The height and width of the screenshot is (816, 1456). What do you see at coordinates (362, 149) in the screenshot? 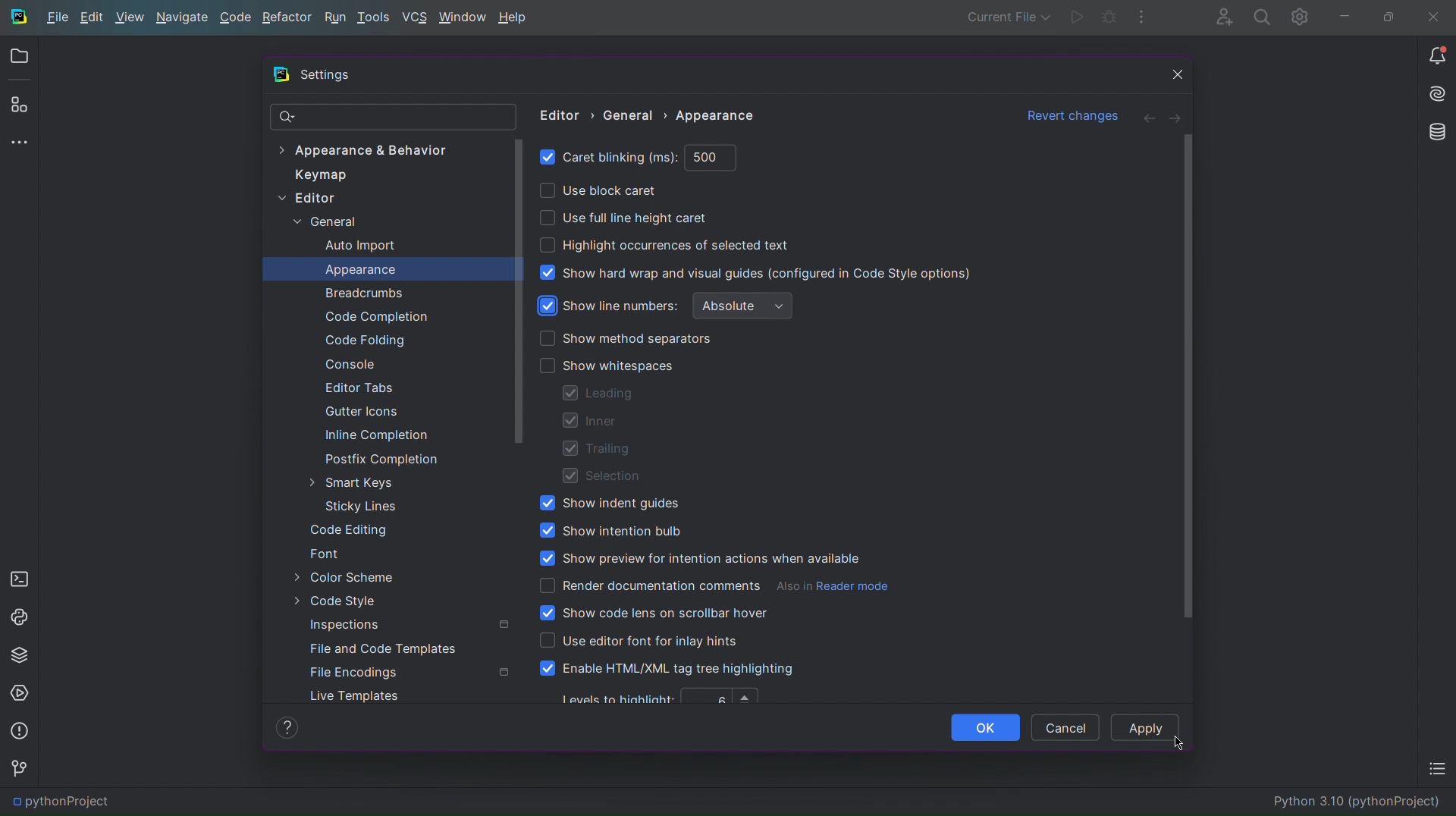
I see `Appearance & Behavior` at bounding box center [362, 149].